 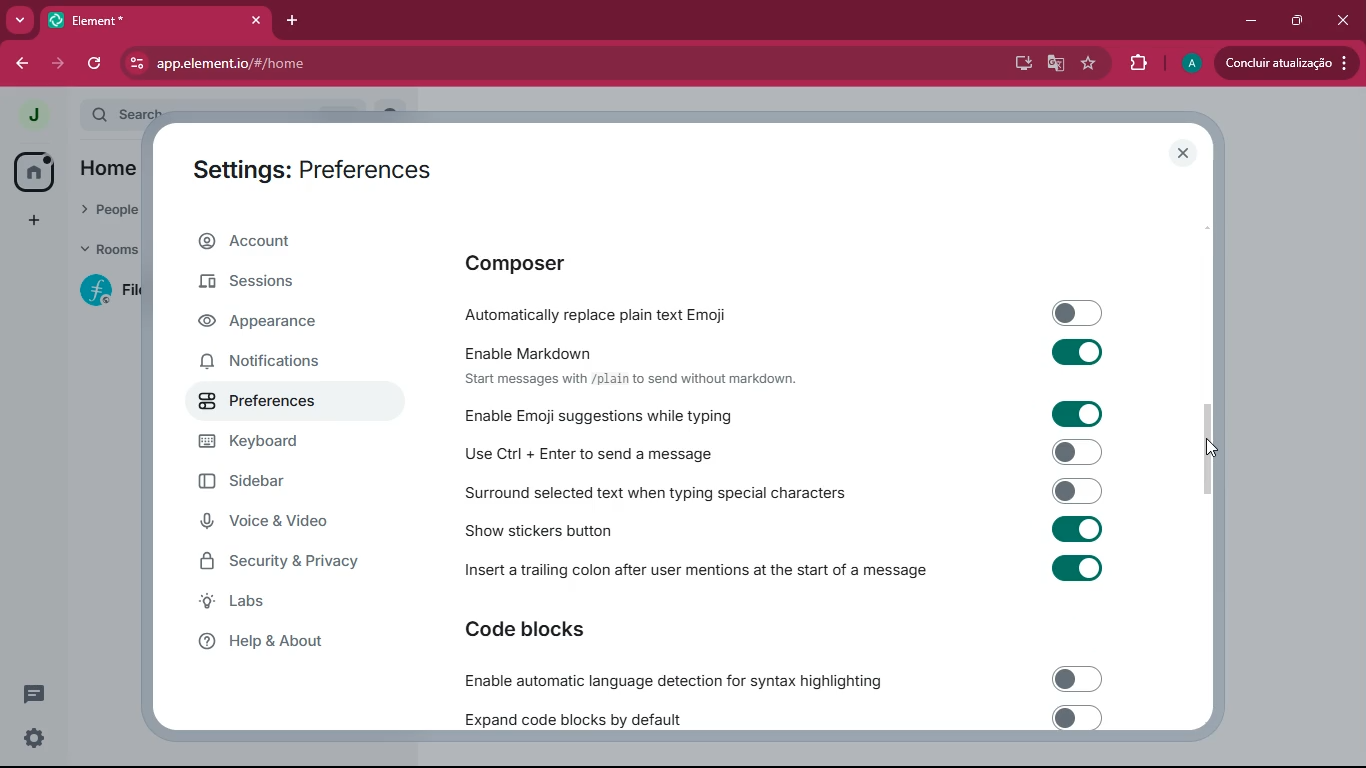 What do you see at coordinates (271, 442) in the screenshot?
I see `keyboard` at bounding box center [271, 442].